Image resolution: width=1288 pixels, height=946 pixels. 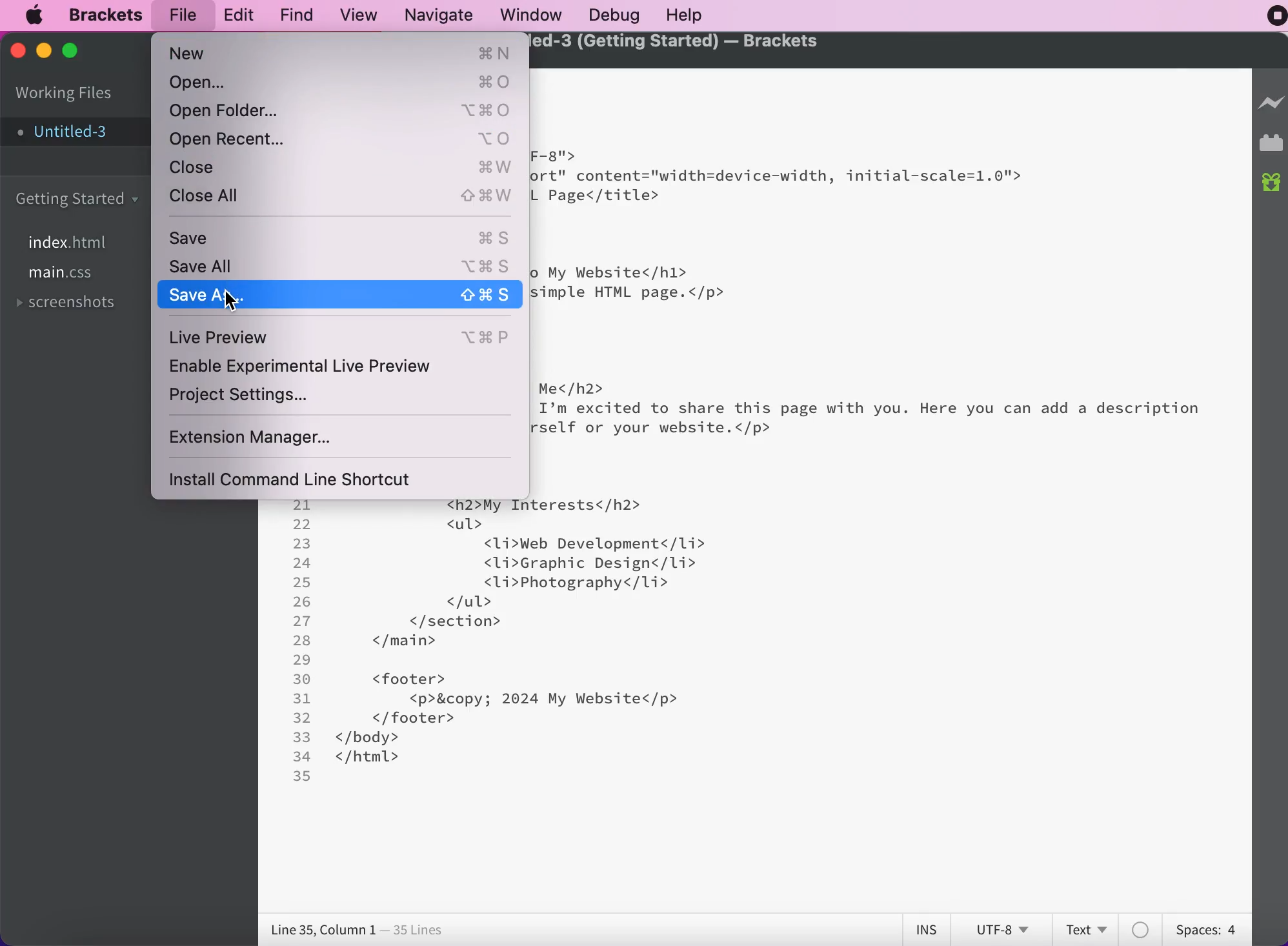 I want to click on edit, so click(x=241, y=13).